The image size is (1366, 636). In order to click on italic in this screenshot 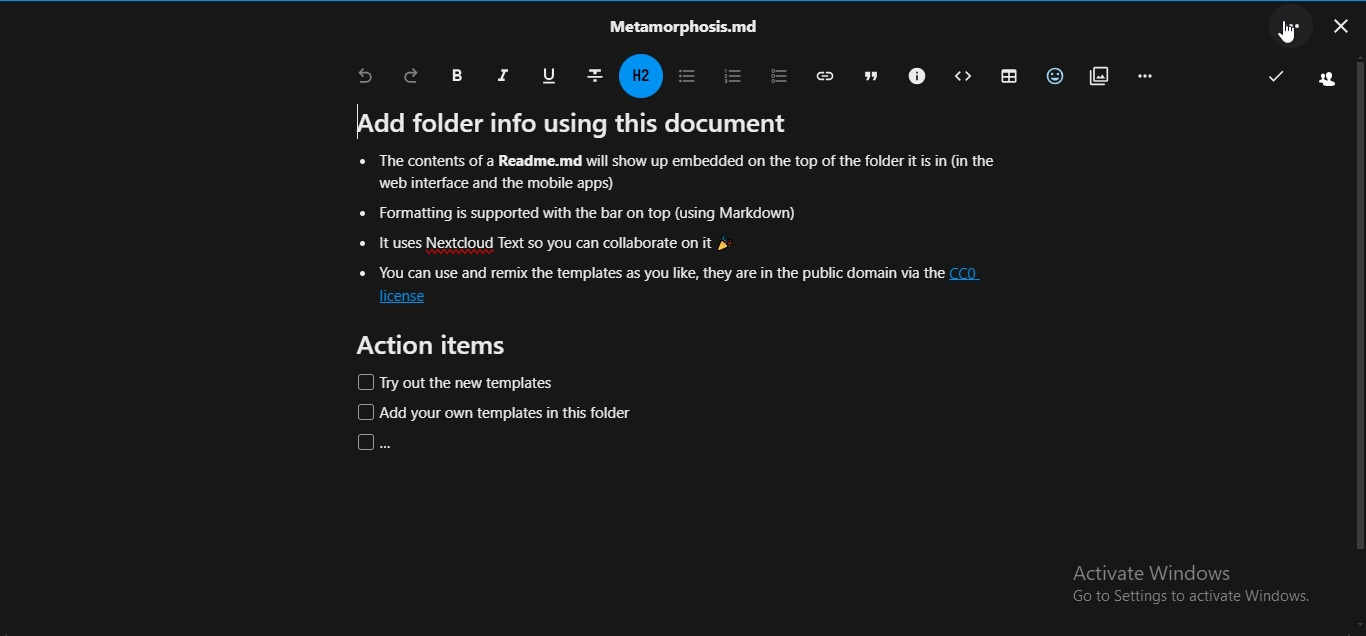, I will do `click(505, 74)`.